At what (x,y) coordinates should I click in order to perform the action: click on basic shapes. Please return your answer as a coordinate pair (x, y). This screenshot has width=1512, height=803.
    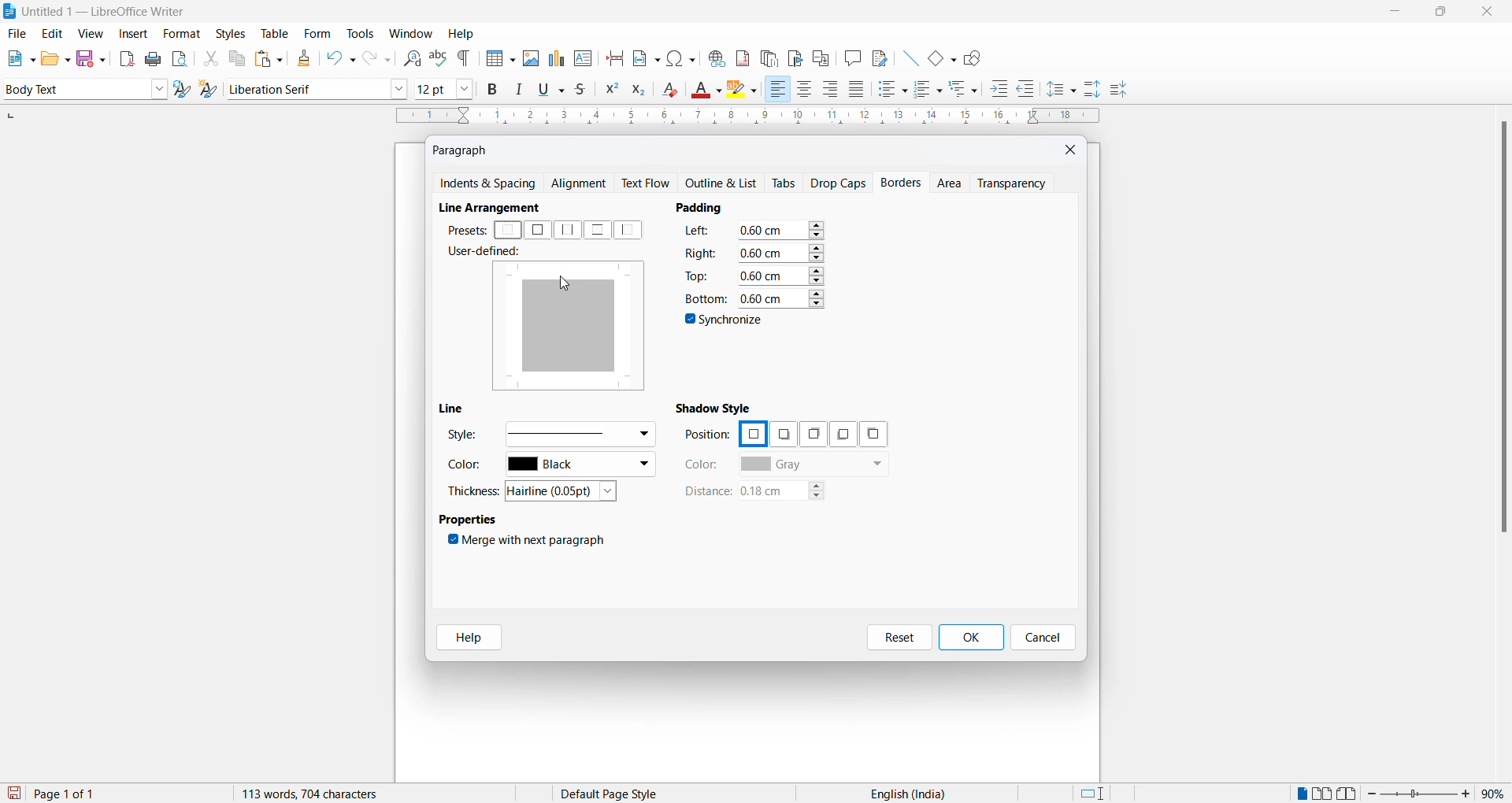
    Looking at the image, I should click on (938, 56).